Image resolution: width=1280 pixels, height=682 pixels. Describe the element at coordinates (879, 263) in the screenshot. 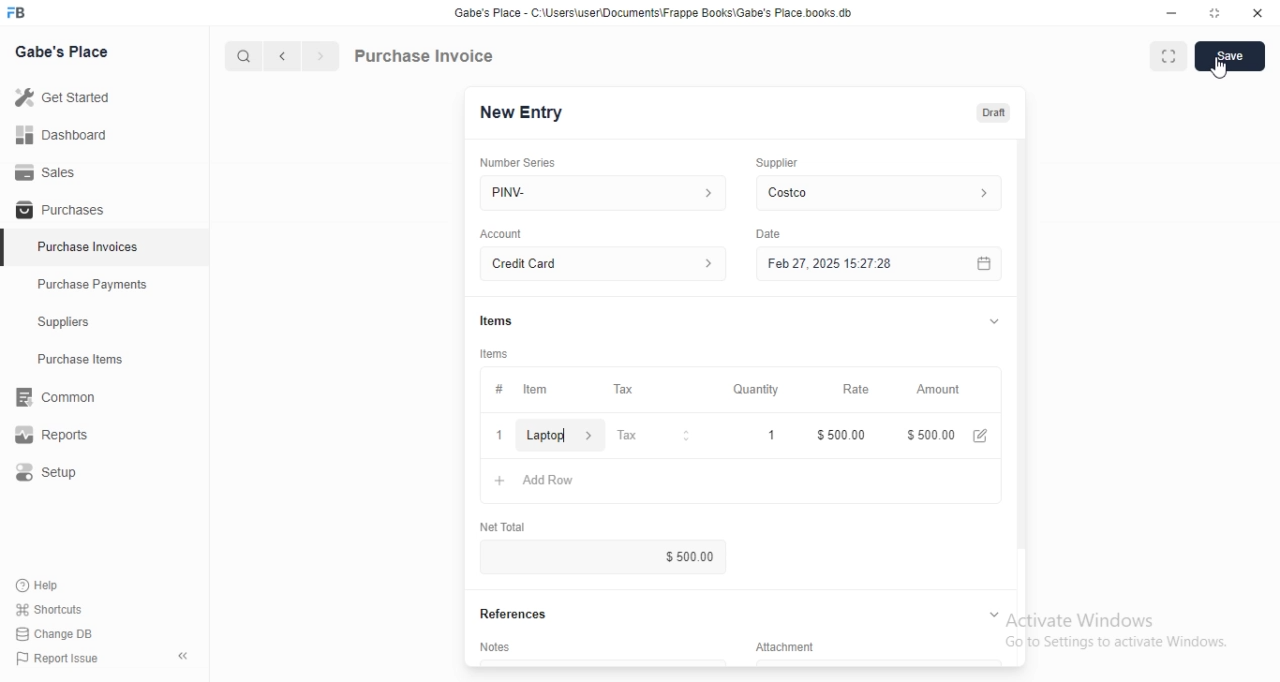

I see `Feb 27, 2025 15:27:28` at that location.